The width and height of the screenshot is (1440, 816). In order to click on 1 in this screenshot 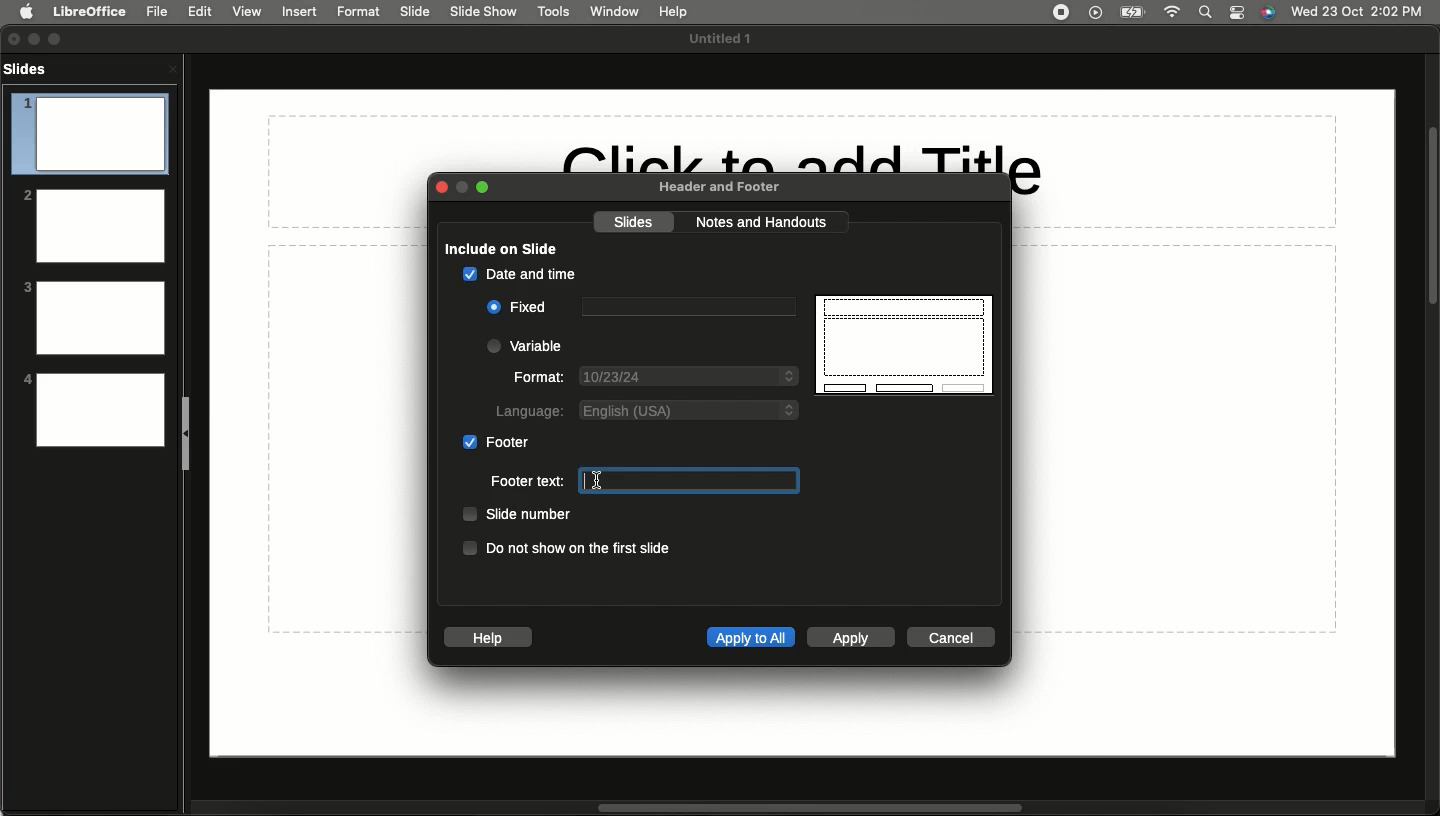, I will do `click(89, 134)`.